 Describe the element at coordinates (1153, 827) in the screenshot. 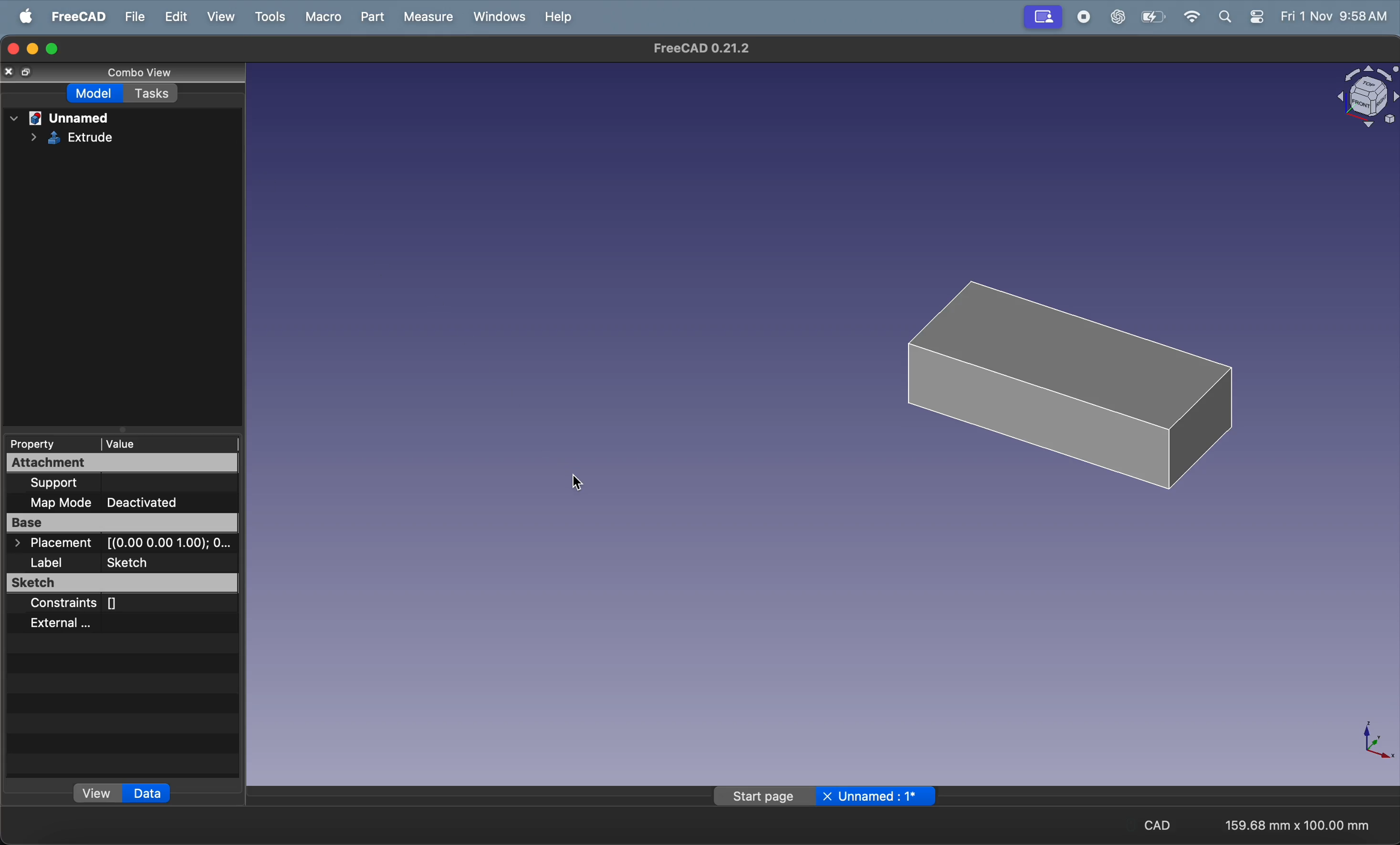

I see `cad` at that location.